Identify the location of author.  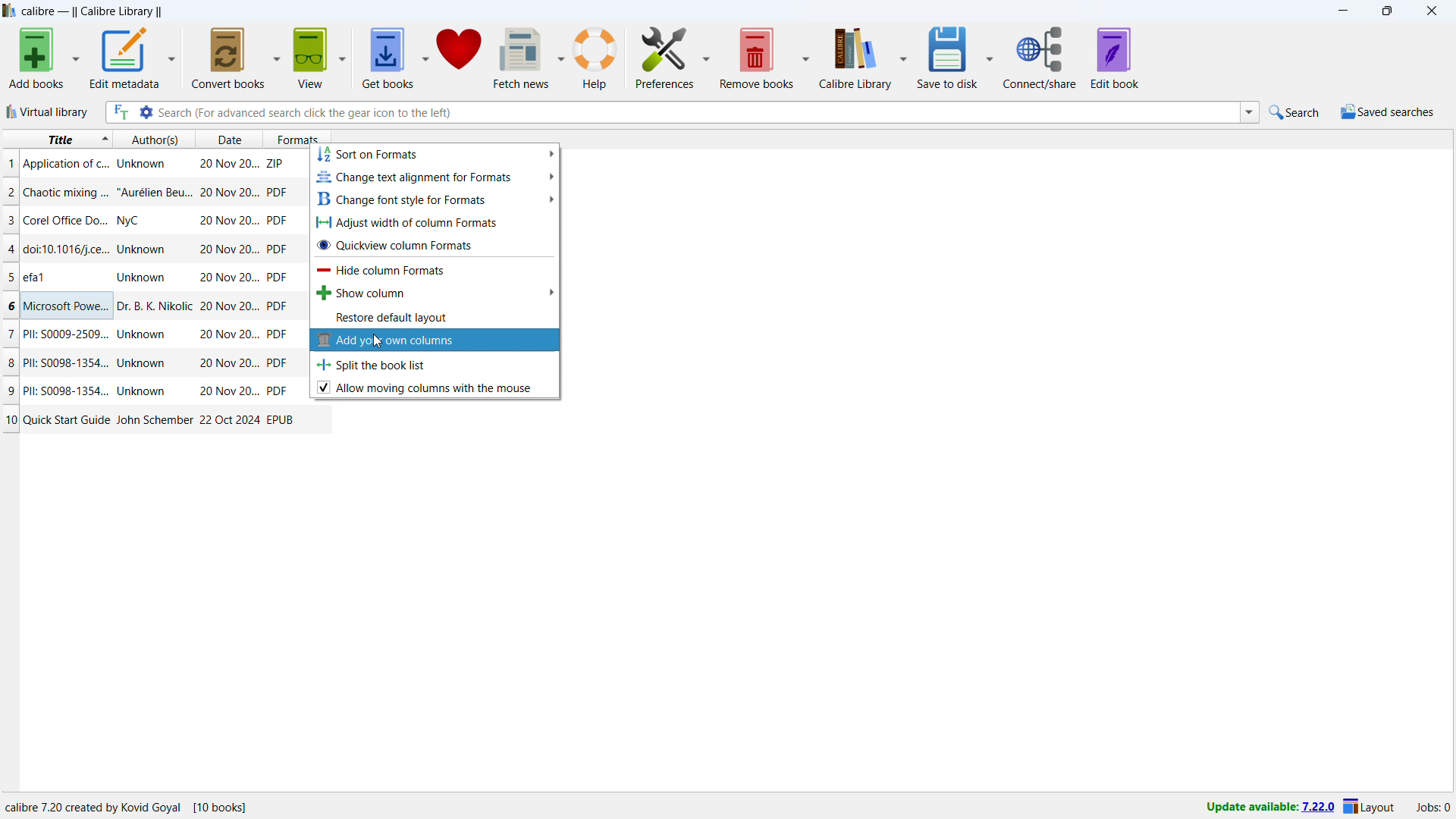
(146, 336).